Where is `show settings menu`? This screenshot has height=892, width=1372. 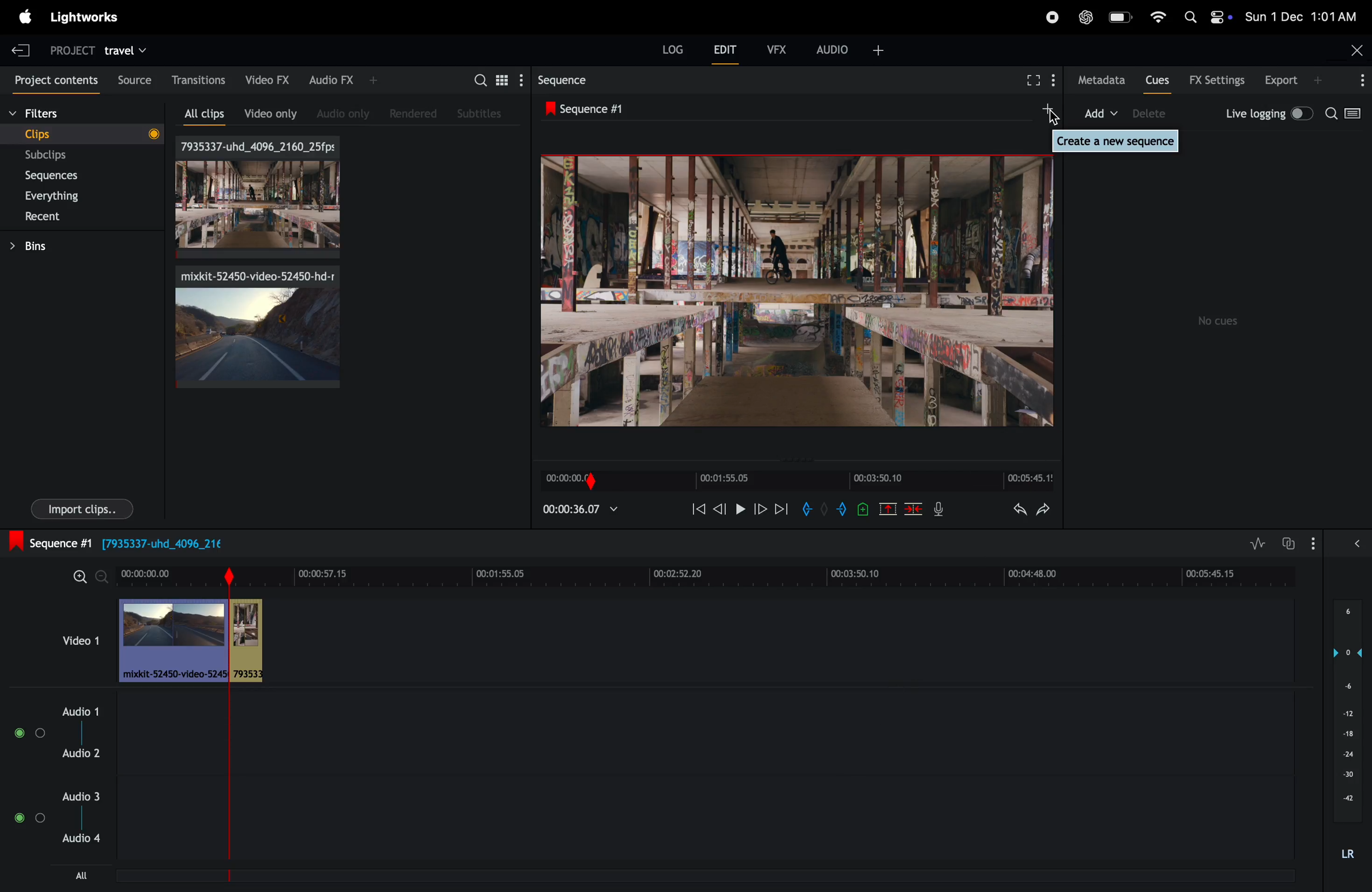 show settings menu is located at coordinates (520, 80).